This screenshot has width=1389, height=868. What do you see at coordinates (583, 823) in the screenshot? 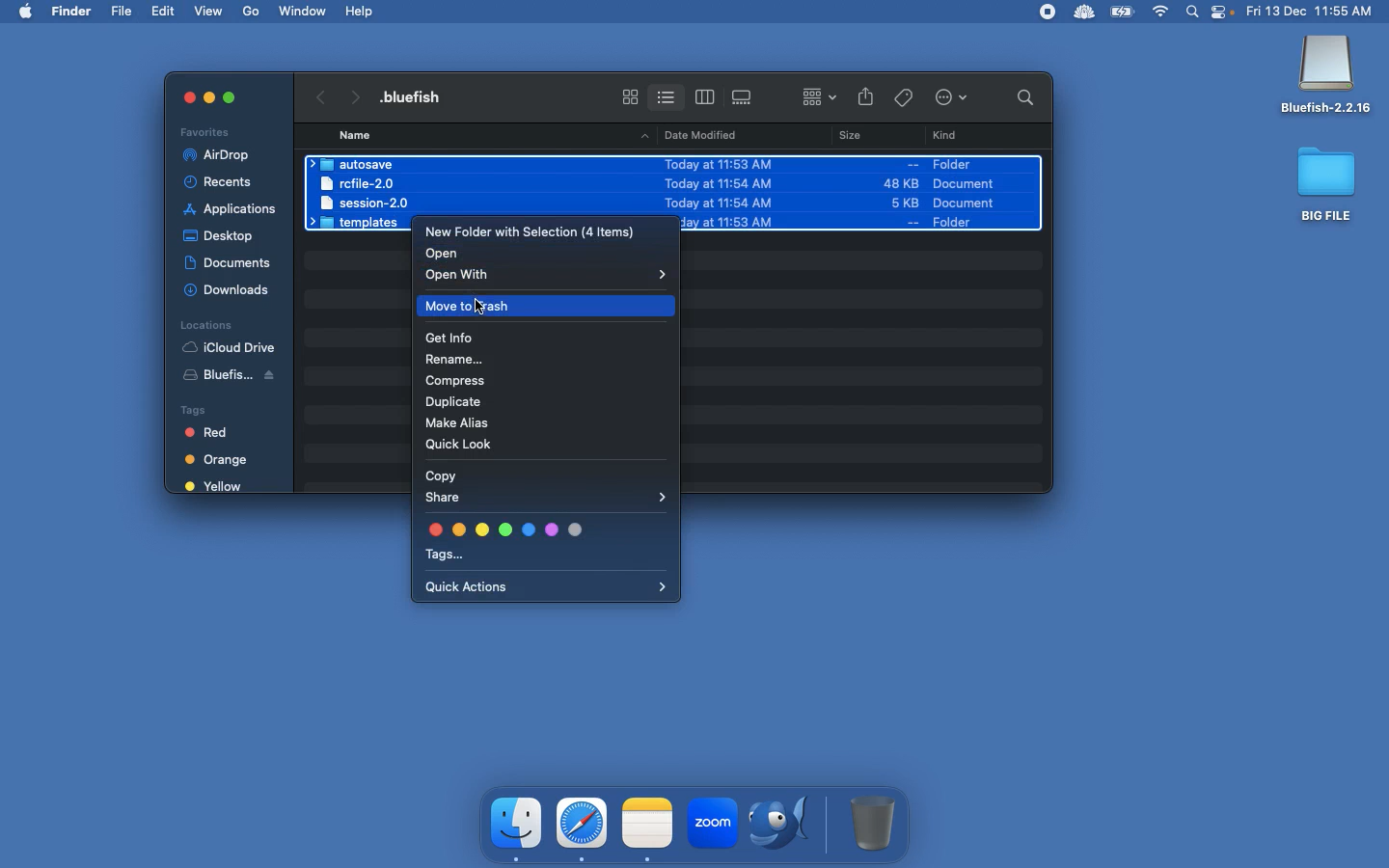
I see `safari` at bounding box center [583, 823].